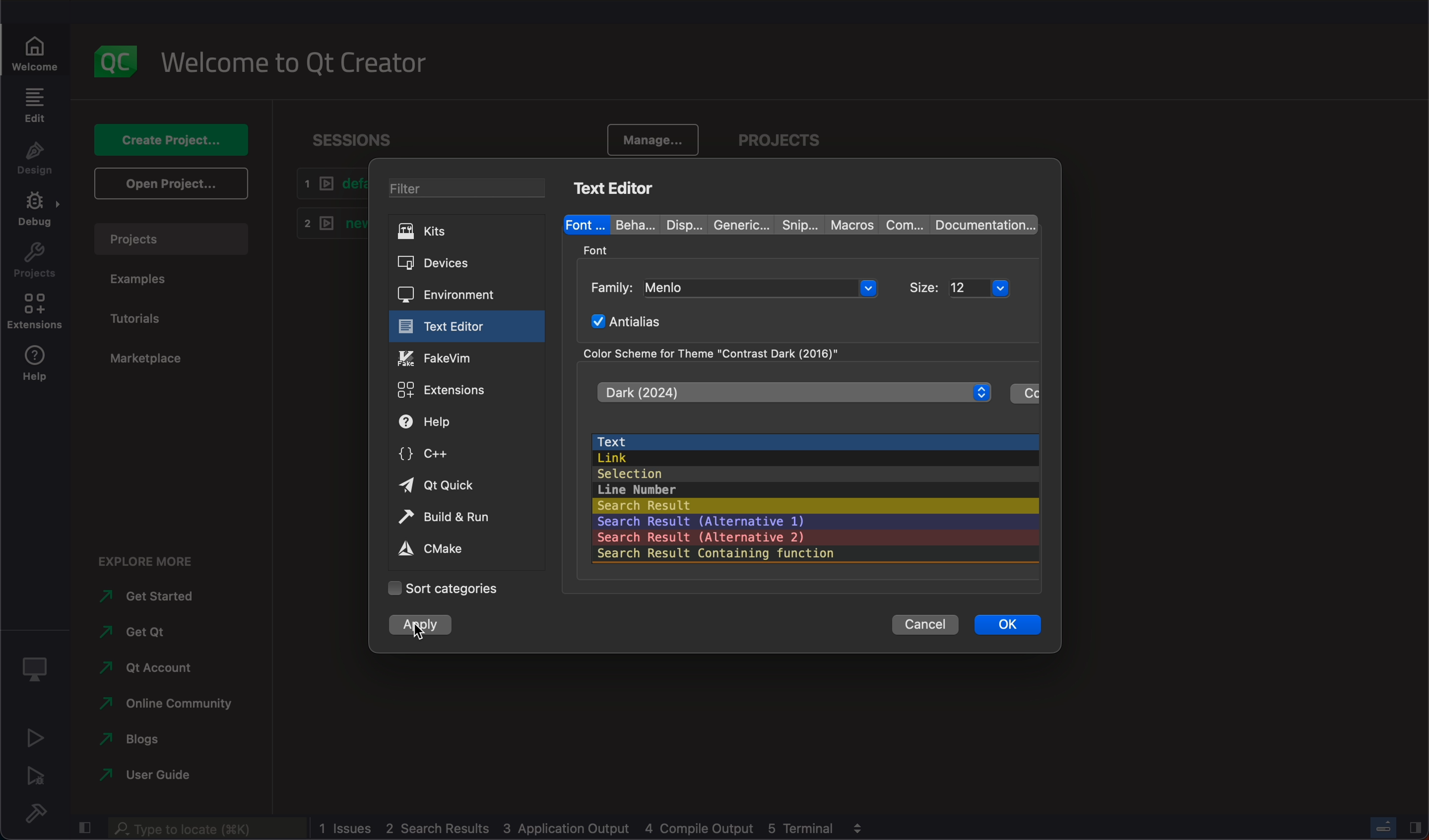 This screenshot has height=840, width=1429. I want to click on extensions, so click(465, 389).